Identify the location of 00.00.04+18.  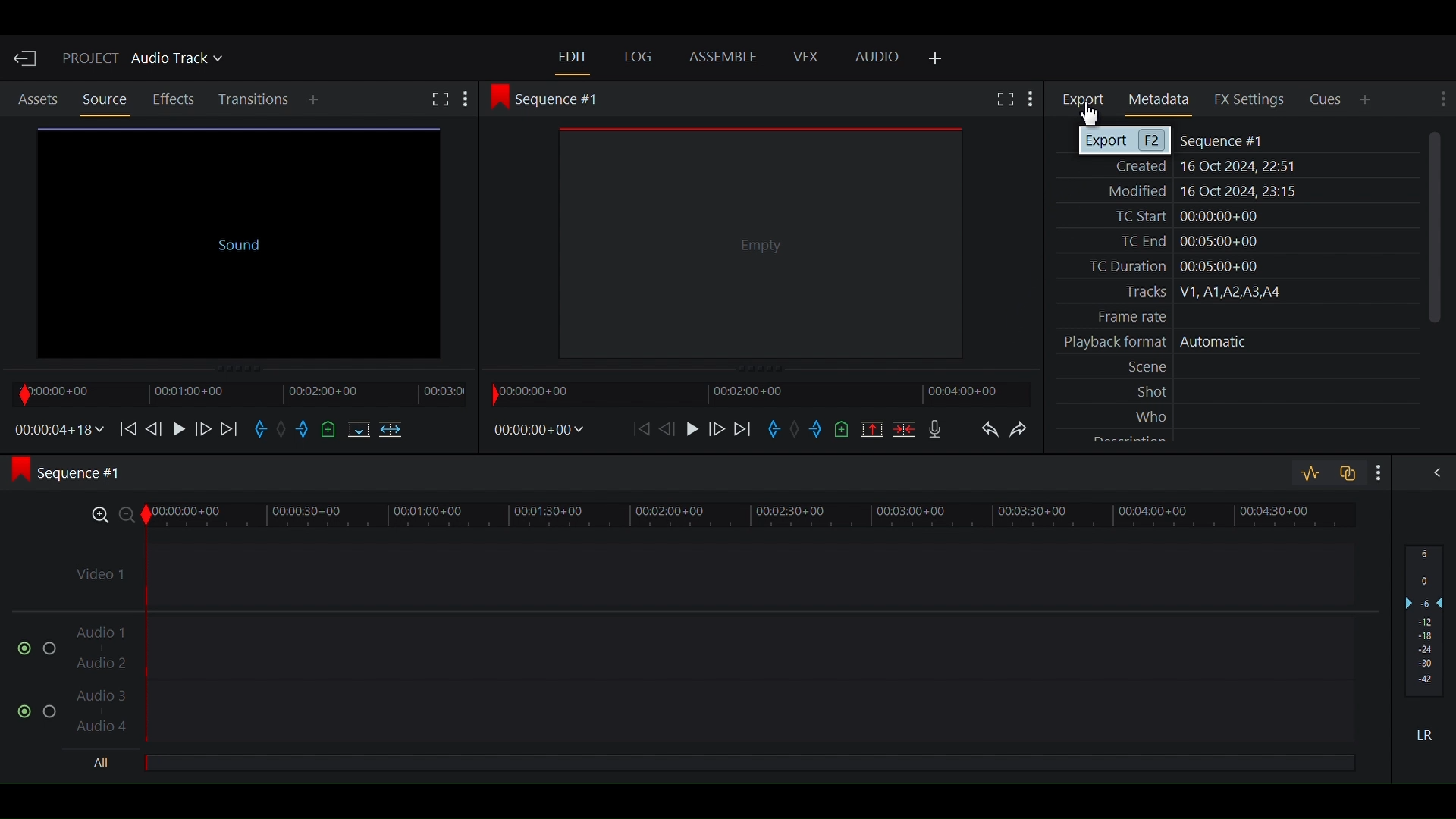
(55, 429).